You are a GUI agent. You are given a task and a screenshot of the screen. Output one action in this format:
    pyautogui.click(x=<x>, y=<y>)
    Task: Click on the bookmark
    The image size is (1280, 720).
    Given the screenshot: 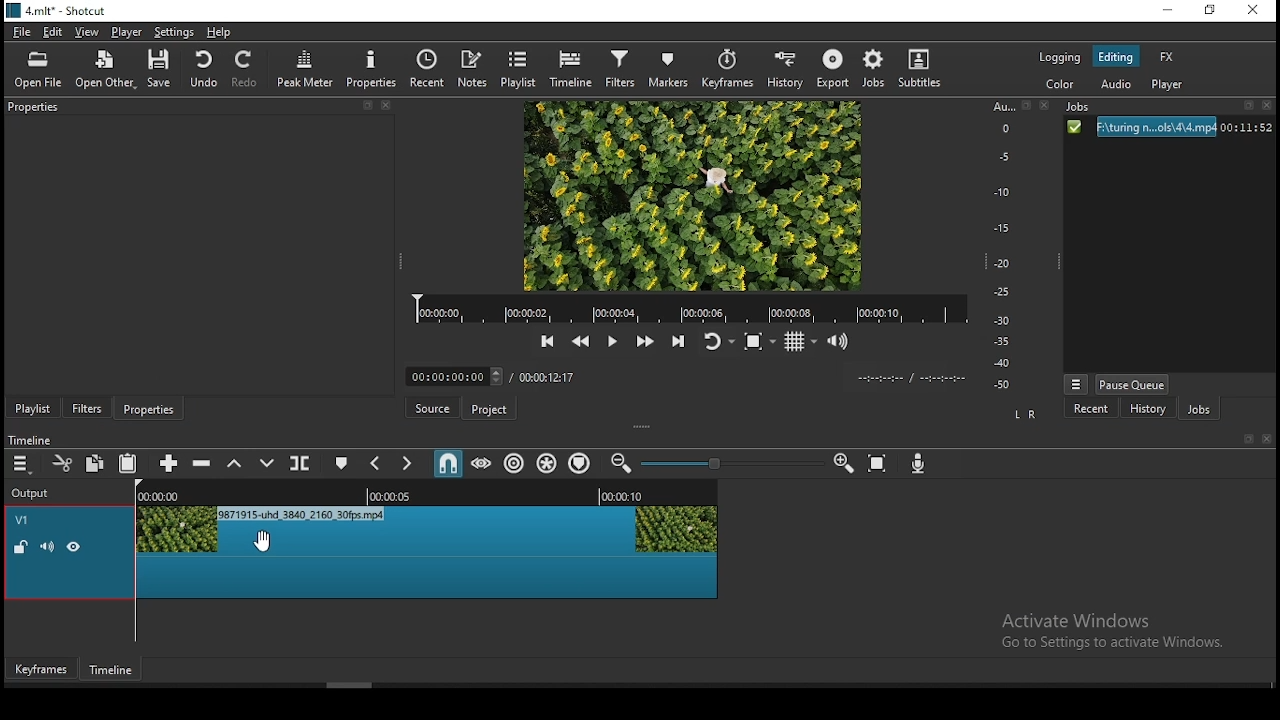 What is the action you would take?
    pyautogui.click(x=1027, y=107)
    